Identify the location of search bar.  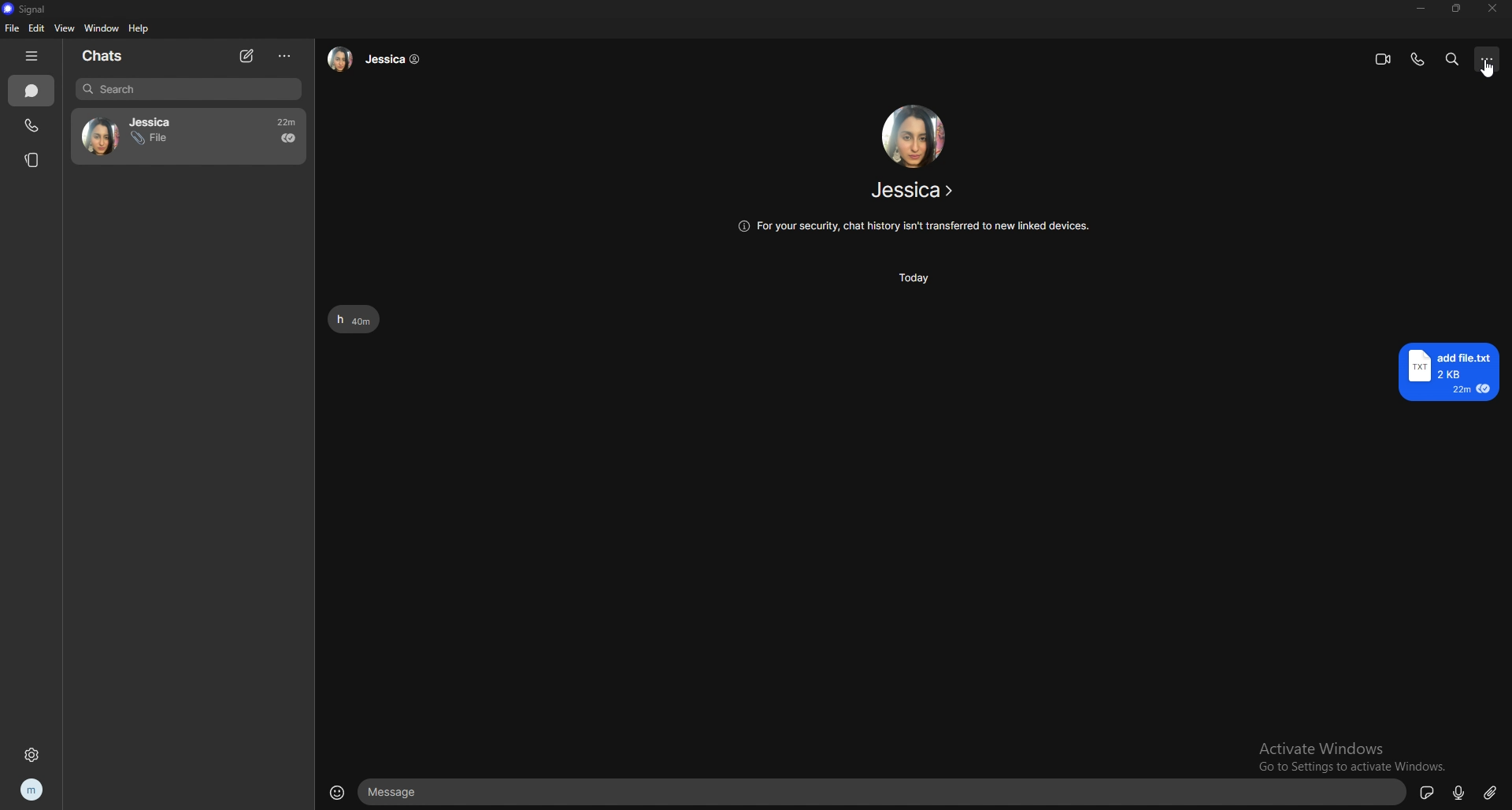
(188, 89).